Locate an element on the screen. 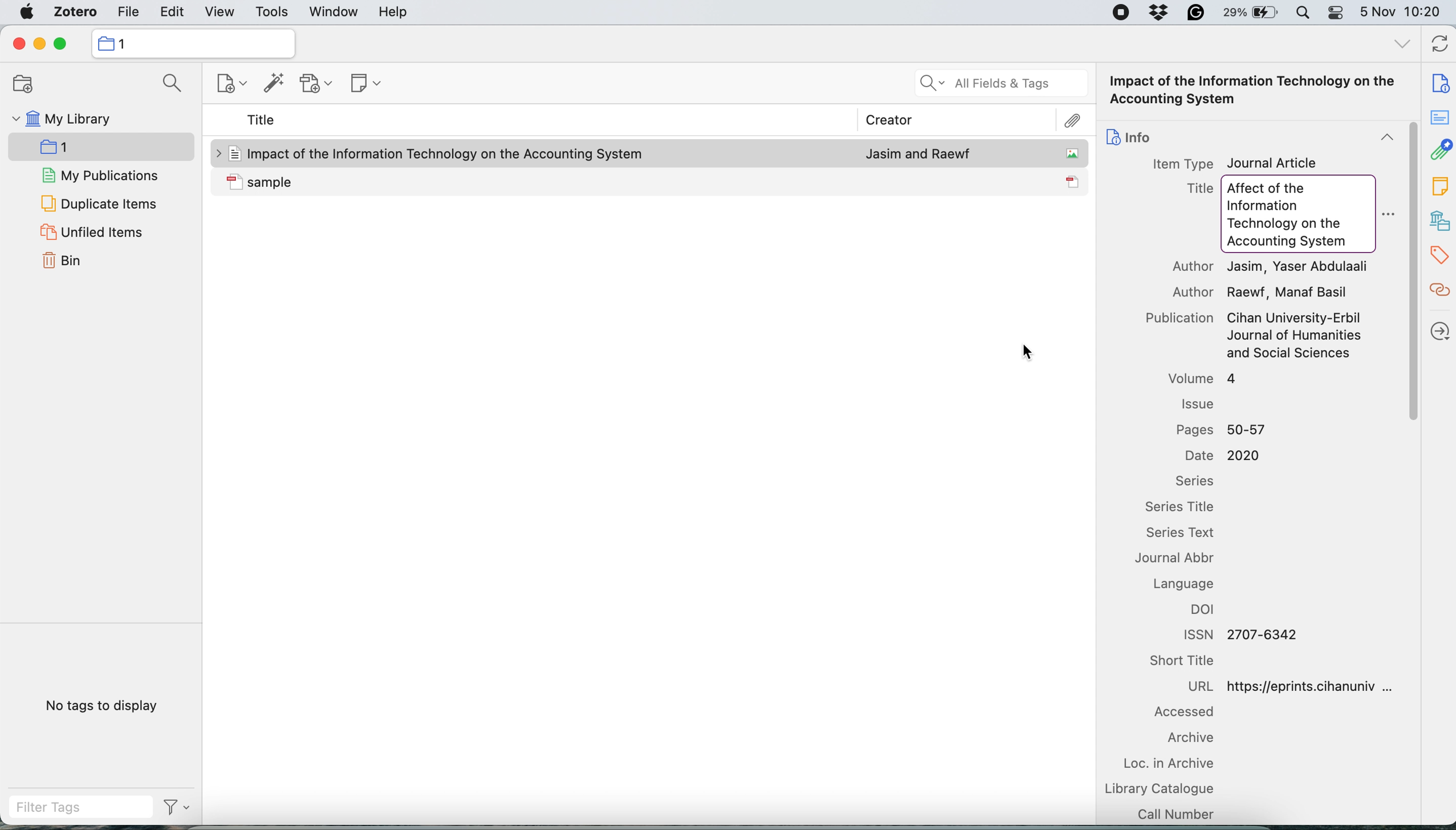 The height and width of the screenshot is (830, 1456). Date 2020 is located at coordinates (1228, 456).